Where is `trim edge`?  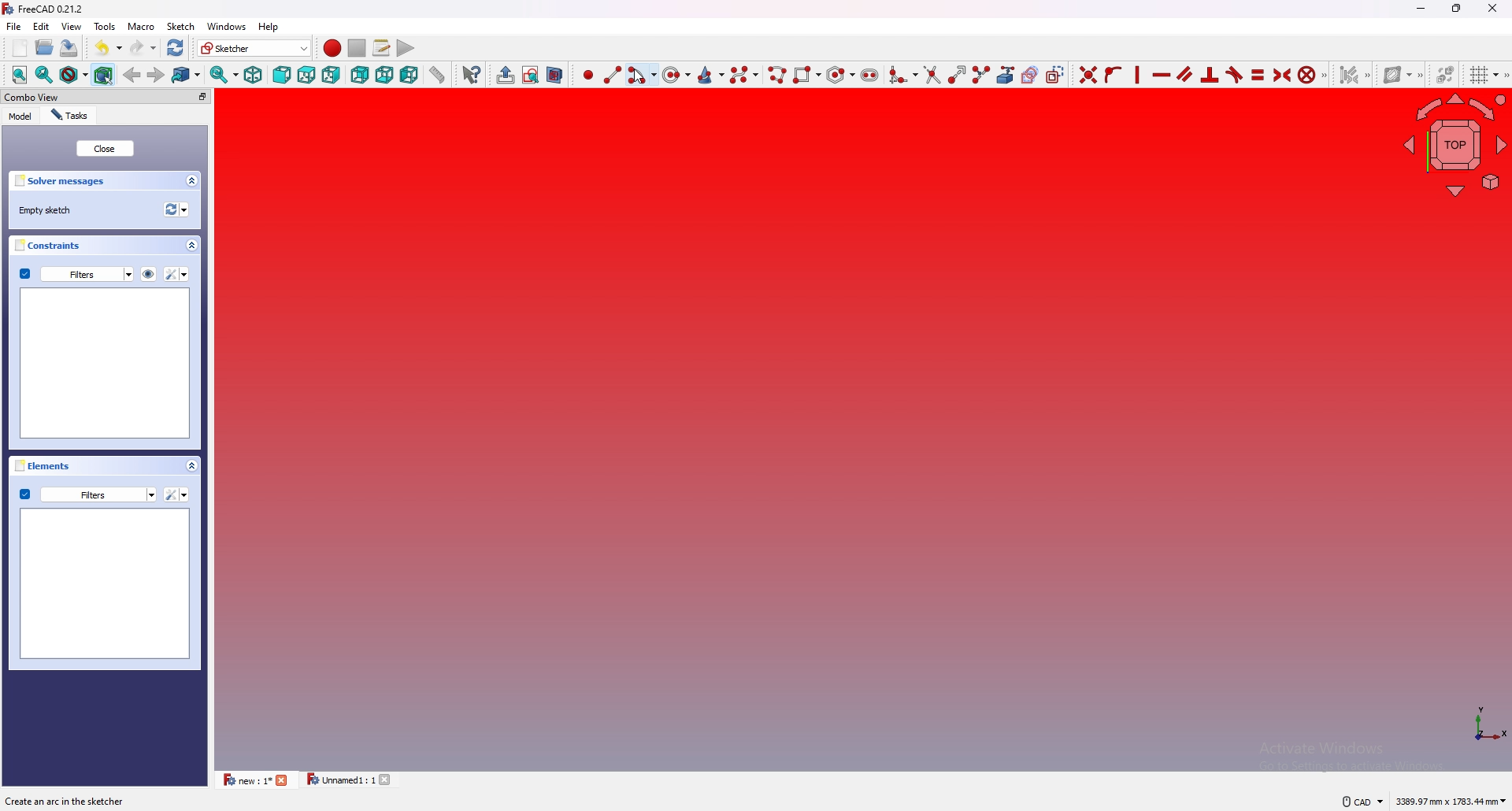
trim edge is located at coordinates (931, 74).